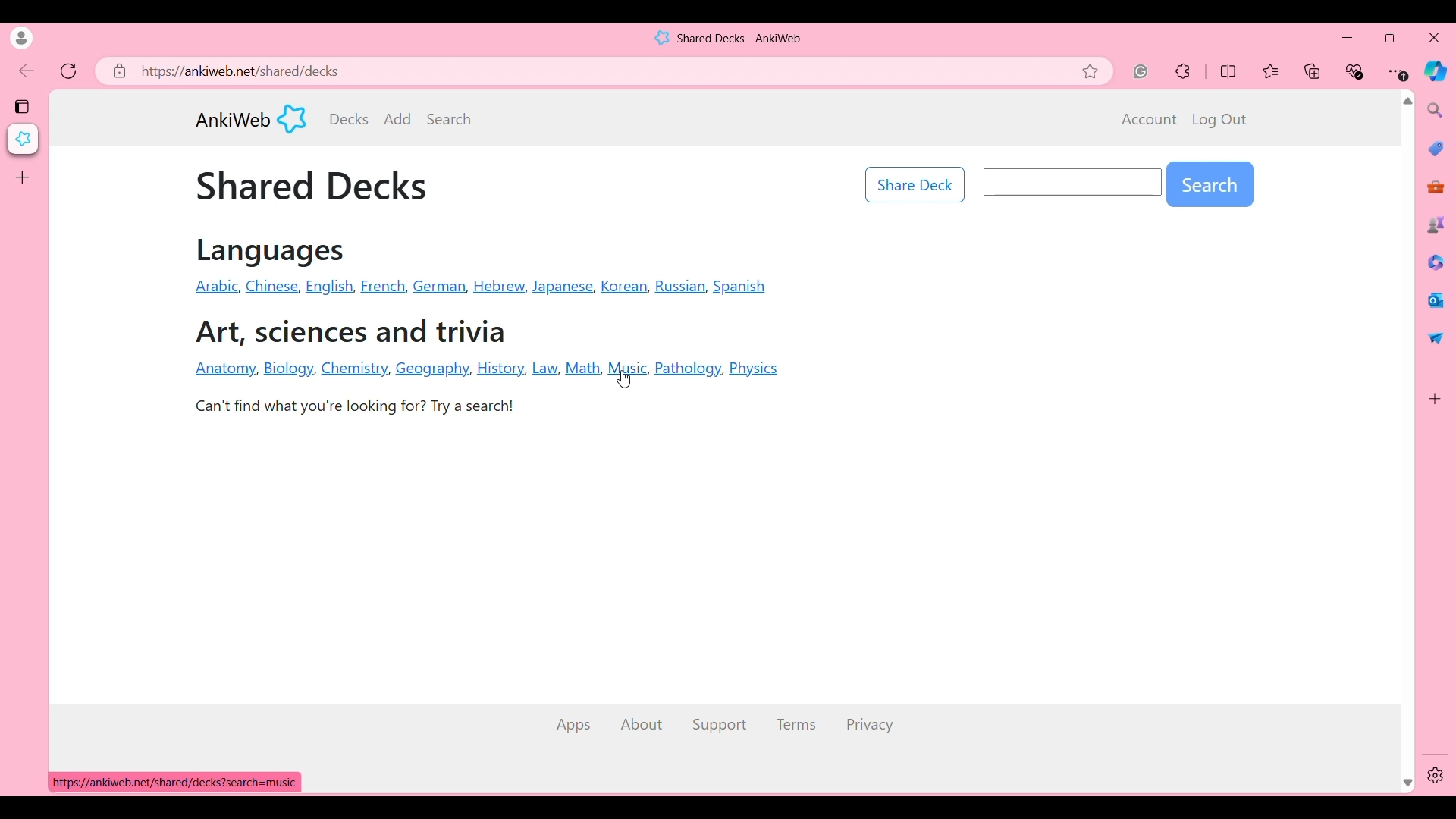 The height and width of the screenshot is (819, 1456). I want to click on Privacy, so click(870, 726).